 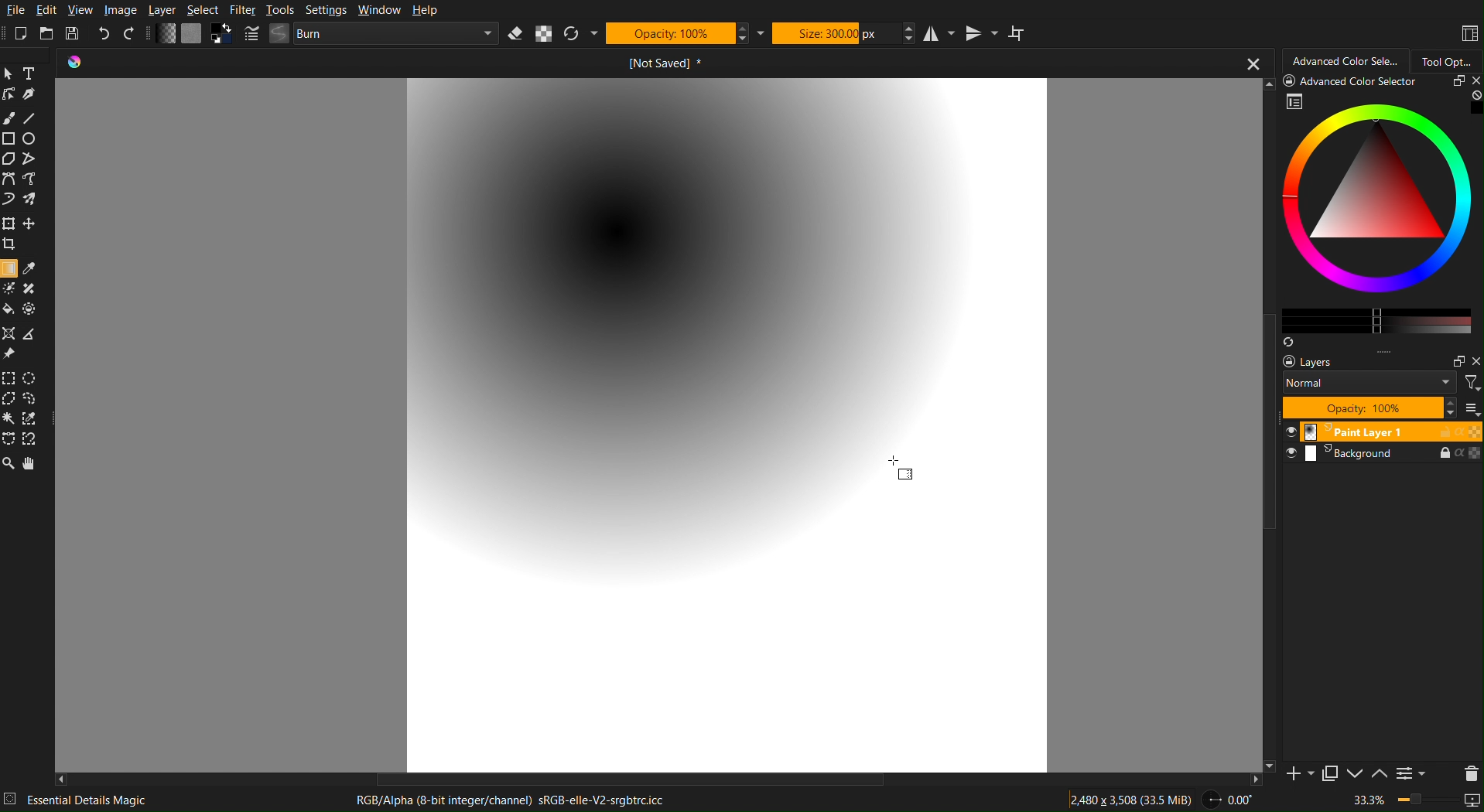 What do you see at coordinates (76, 35) in the screenshot?
I see `Save` at bounding box center [76, 35].